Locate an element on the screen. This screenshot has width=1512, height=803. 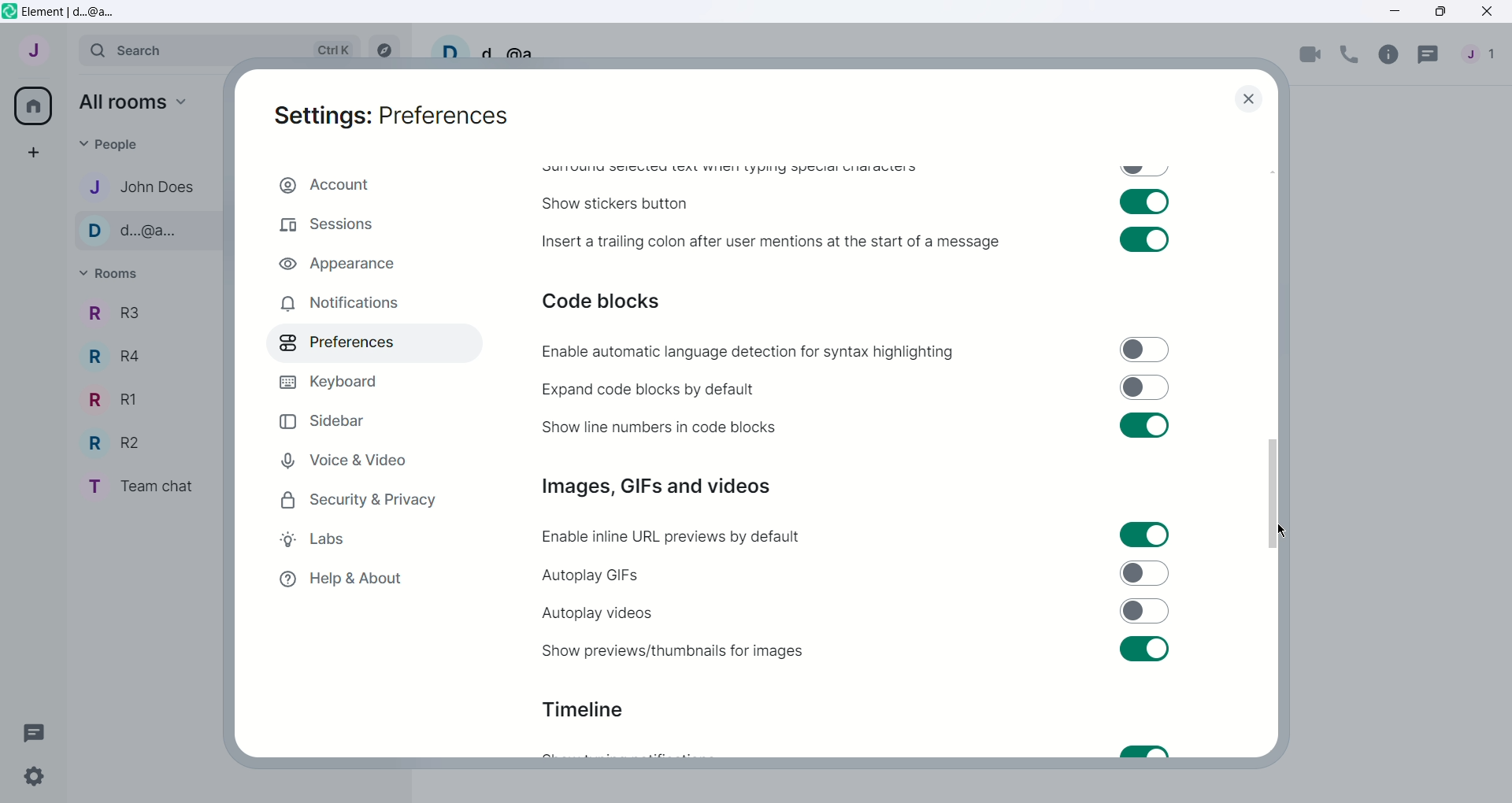
Element | d...@a... is located at coordinates (72, 13).